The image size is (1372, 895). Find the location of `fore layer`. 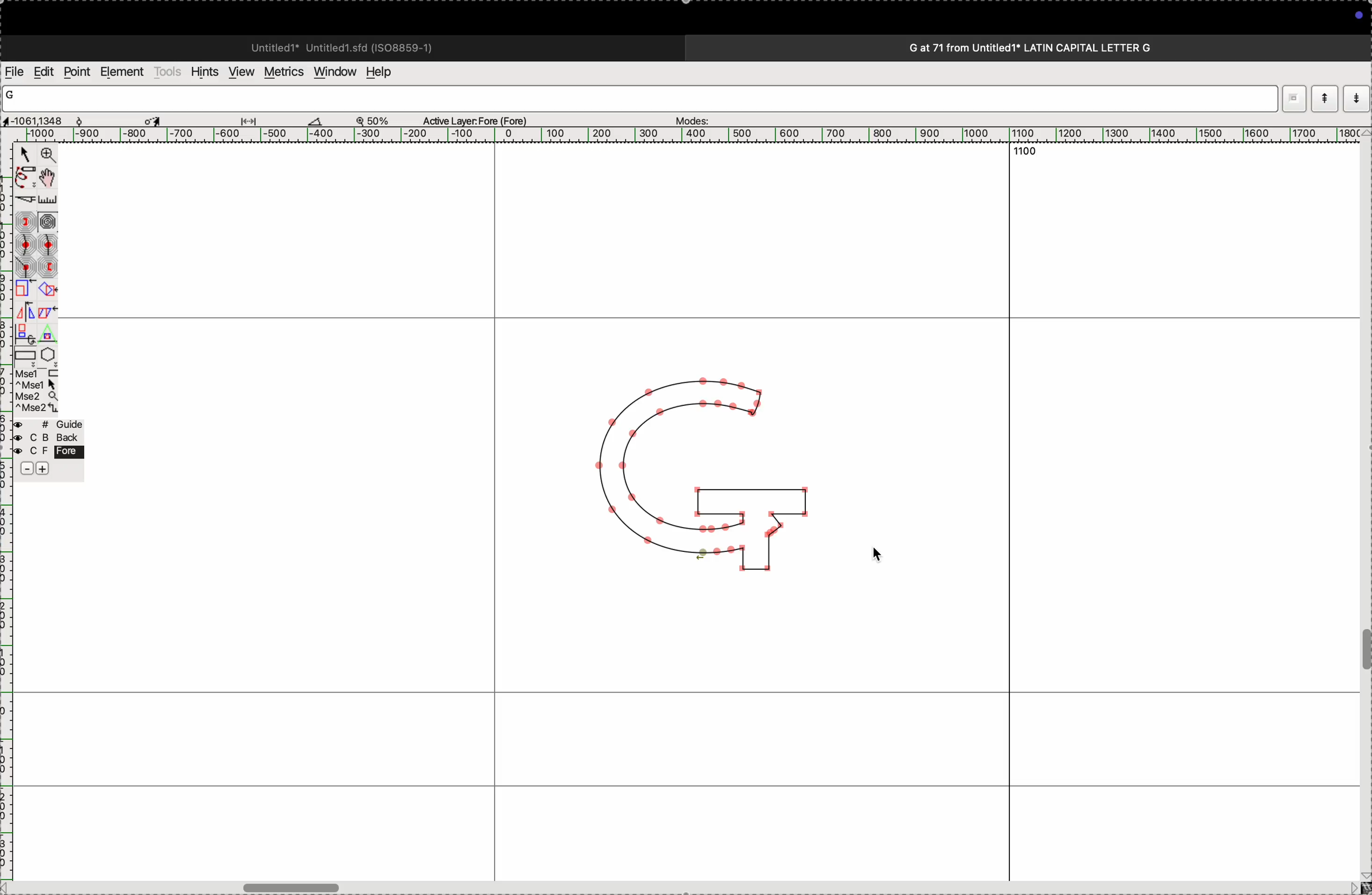

fore layer is located at coordinates (48, 451).